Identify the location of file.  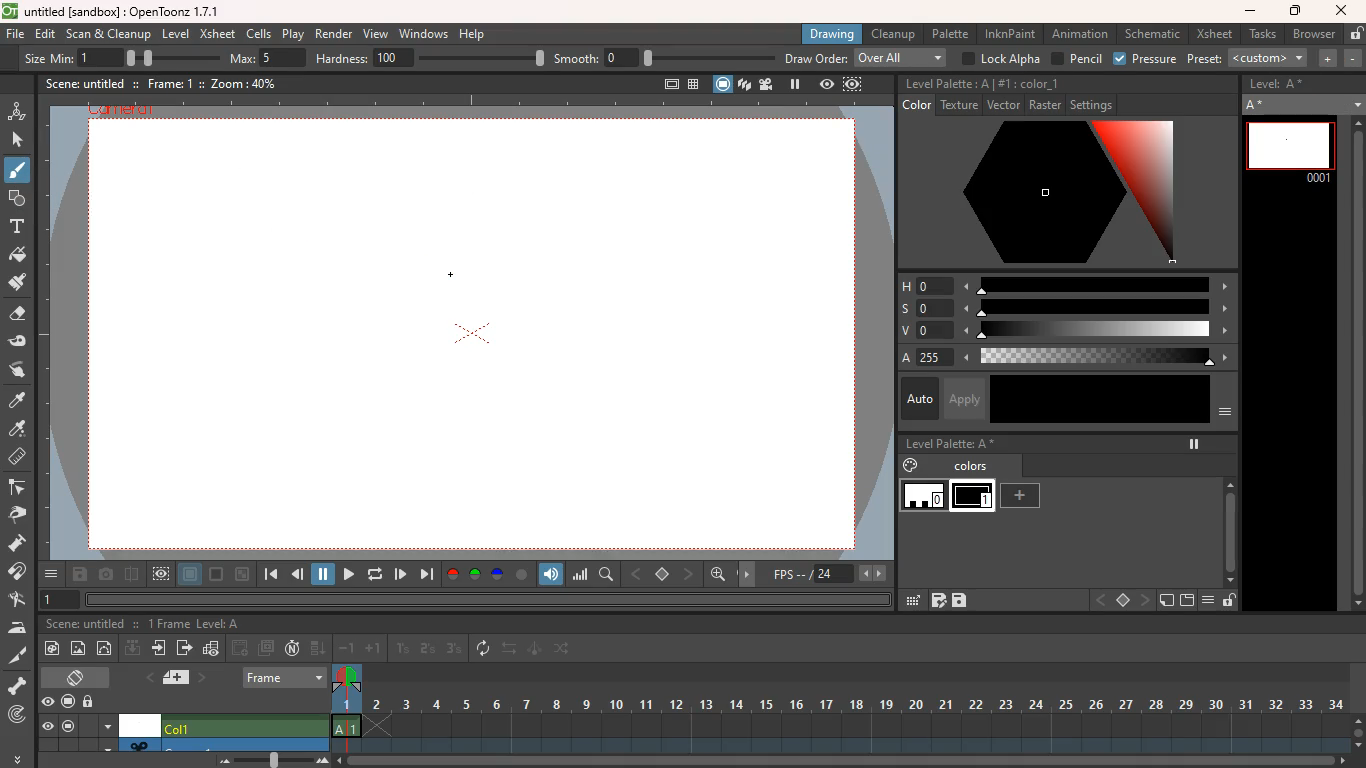
(15, 36).